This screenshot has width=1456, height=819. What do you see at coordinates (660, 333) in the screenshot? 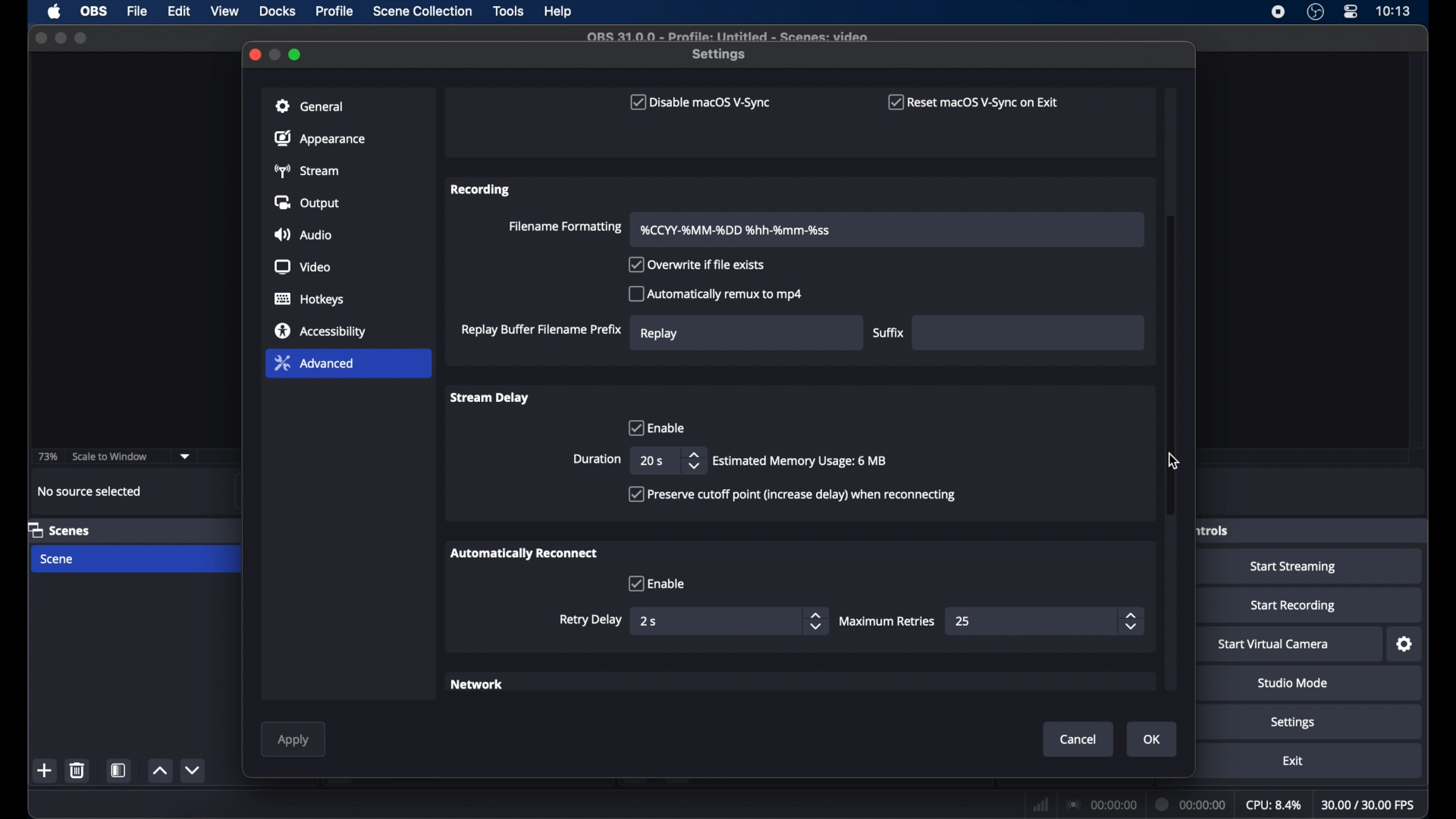
I see `replay` at bounding box center [660, 333].